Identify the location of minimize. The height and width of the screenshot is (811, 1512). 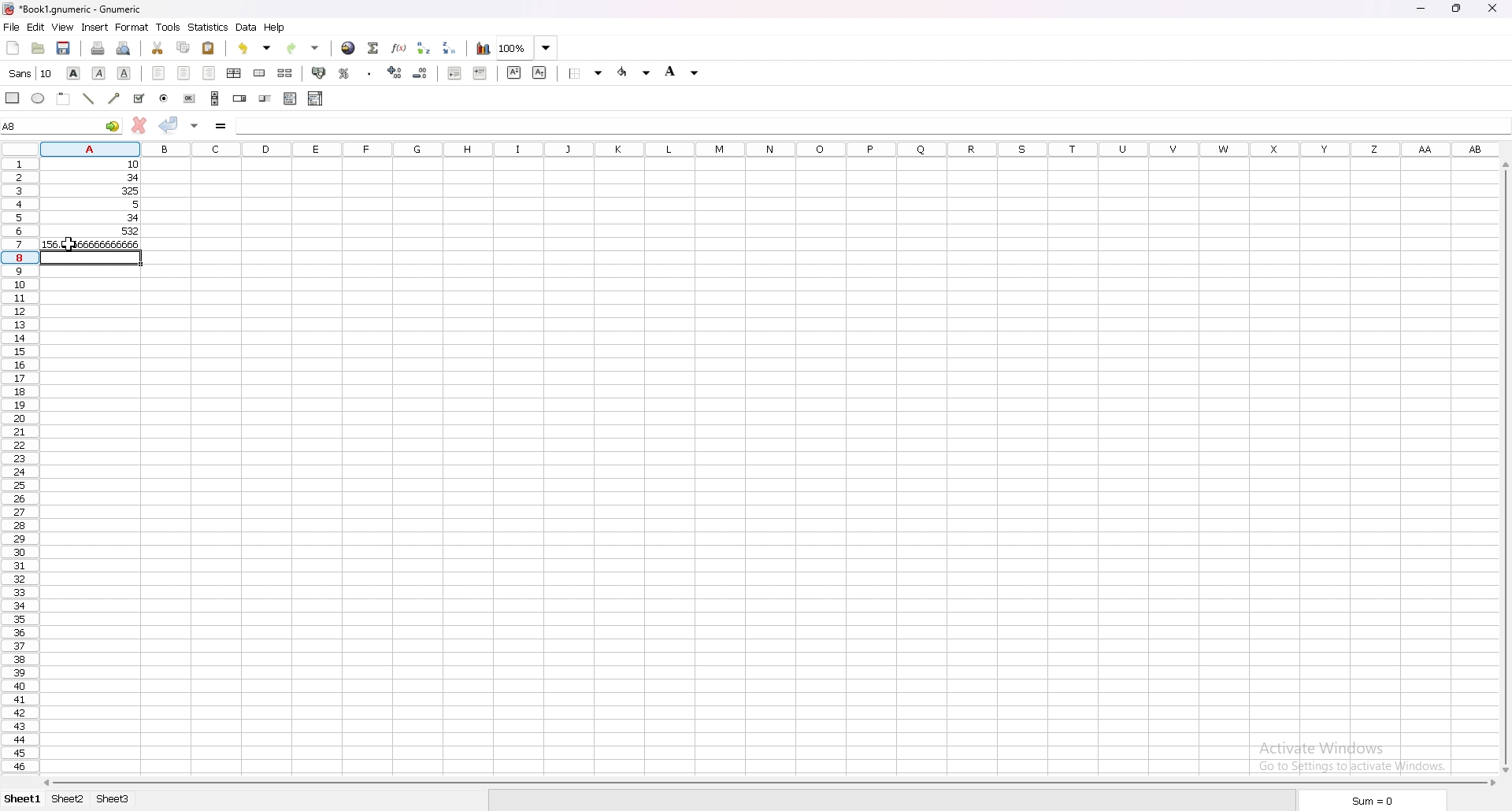
(1419, 9).